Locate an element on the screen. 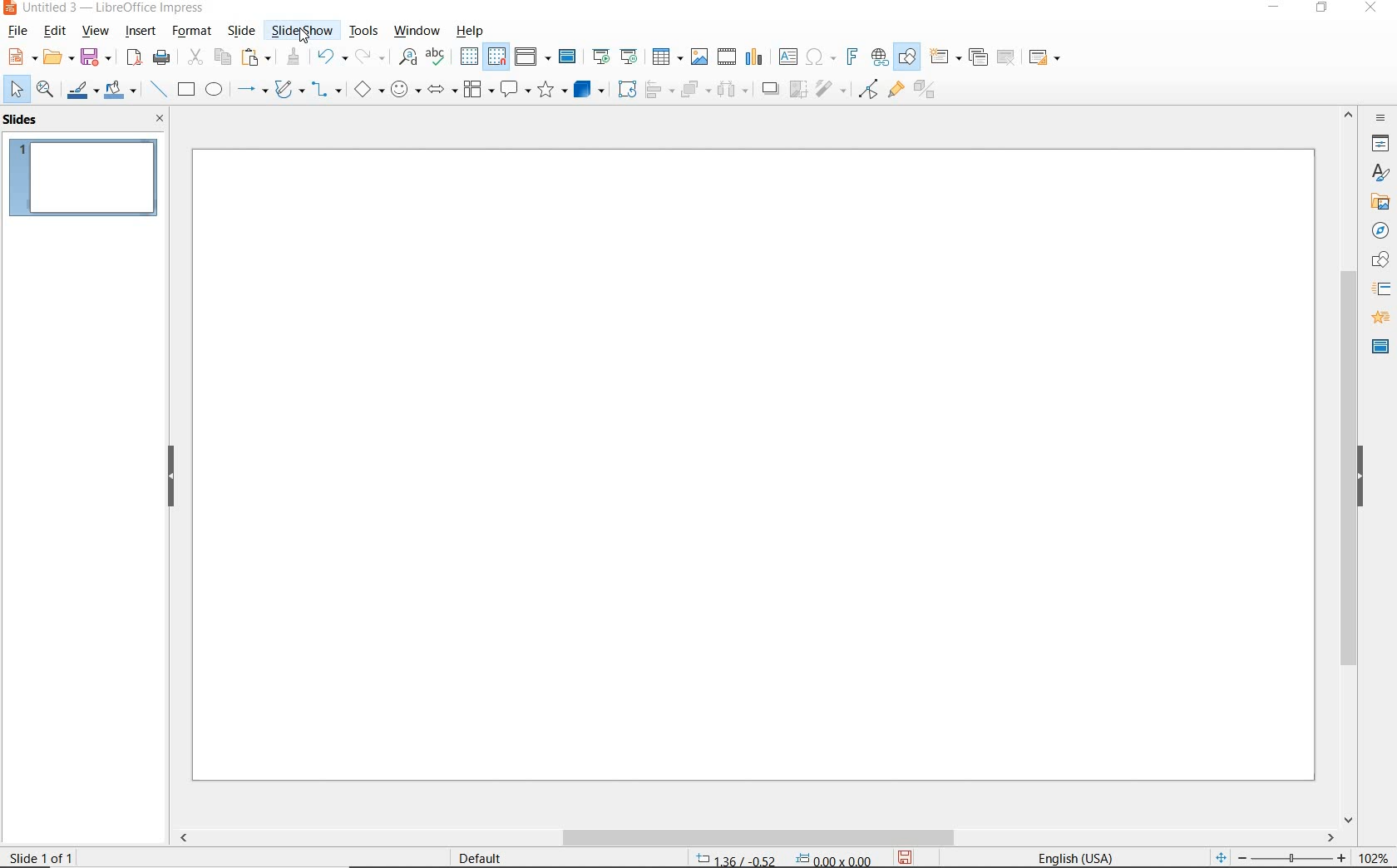  DELETE SLIDE is located at coordinates (1005, 57).